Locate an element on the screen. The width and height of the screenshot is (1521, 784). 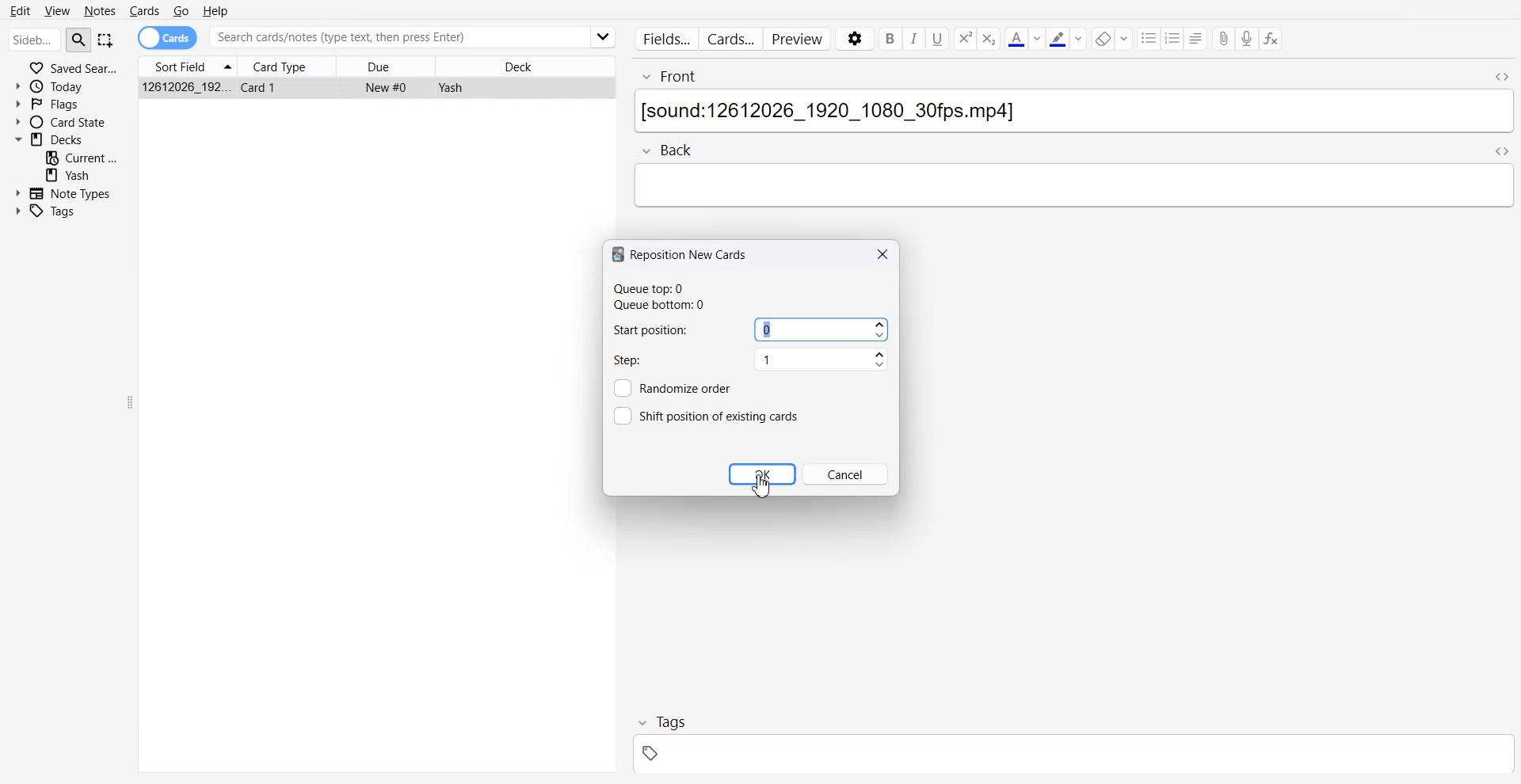
Current is located at coordinates (82, 157).